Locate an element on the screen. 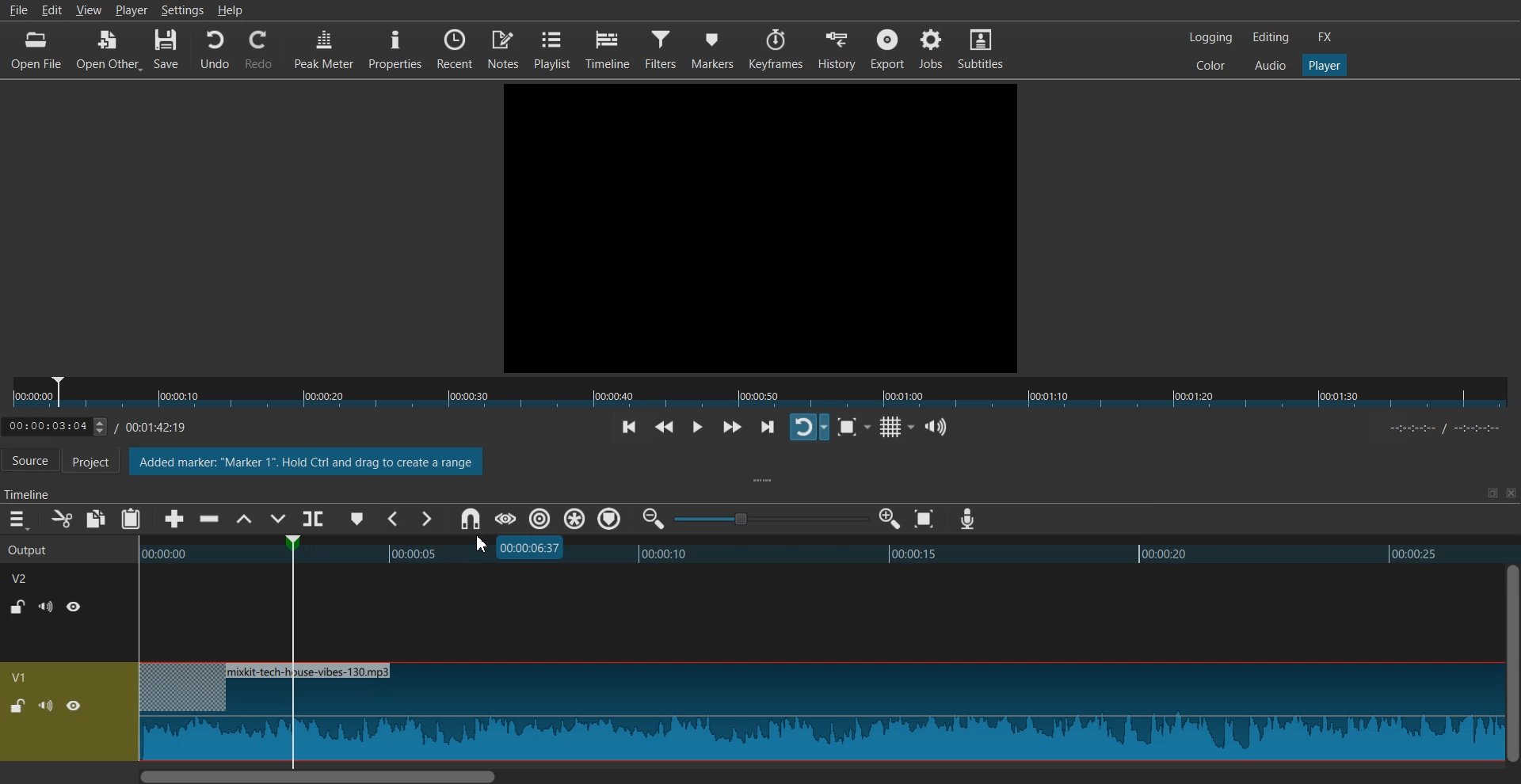 The image size is (1521, 784). Append  is located at coordinates (175, 519).